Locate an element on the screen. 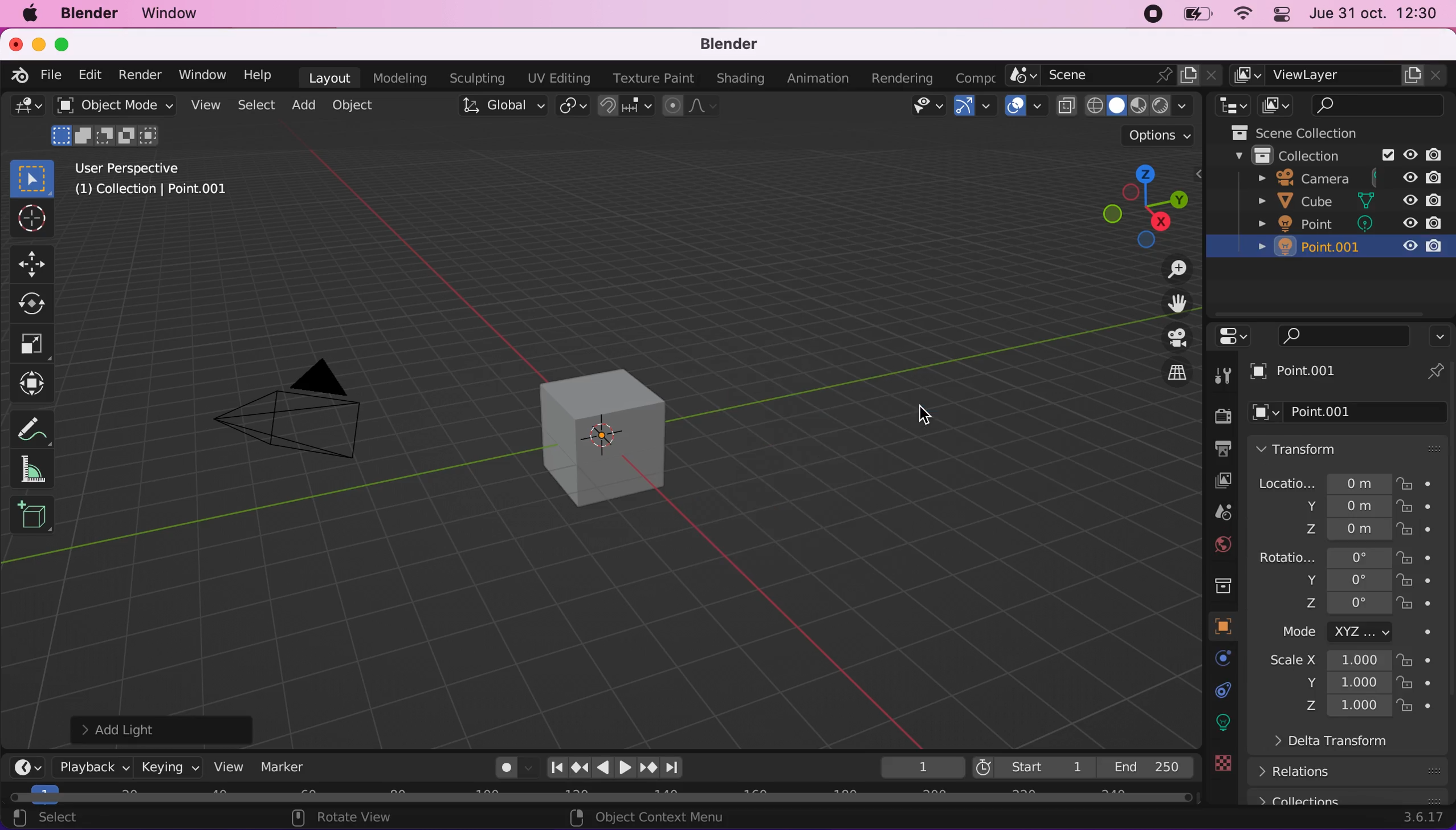 The image size is (1456, 830). z 1.000 is located at coordinates (1345, 707).